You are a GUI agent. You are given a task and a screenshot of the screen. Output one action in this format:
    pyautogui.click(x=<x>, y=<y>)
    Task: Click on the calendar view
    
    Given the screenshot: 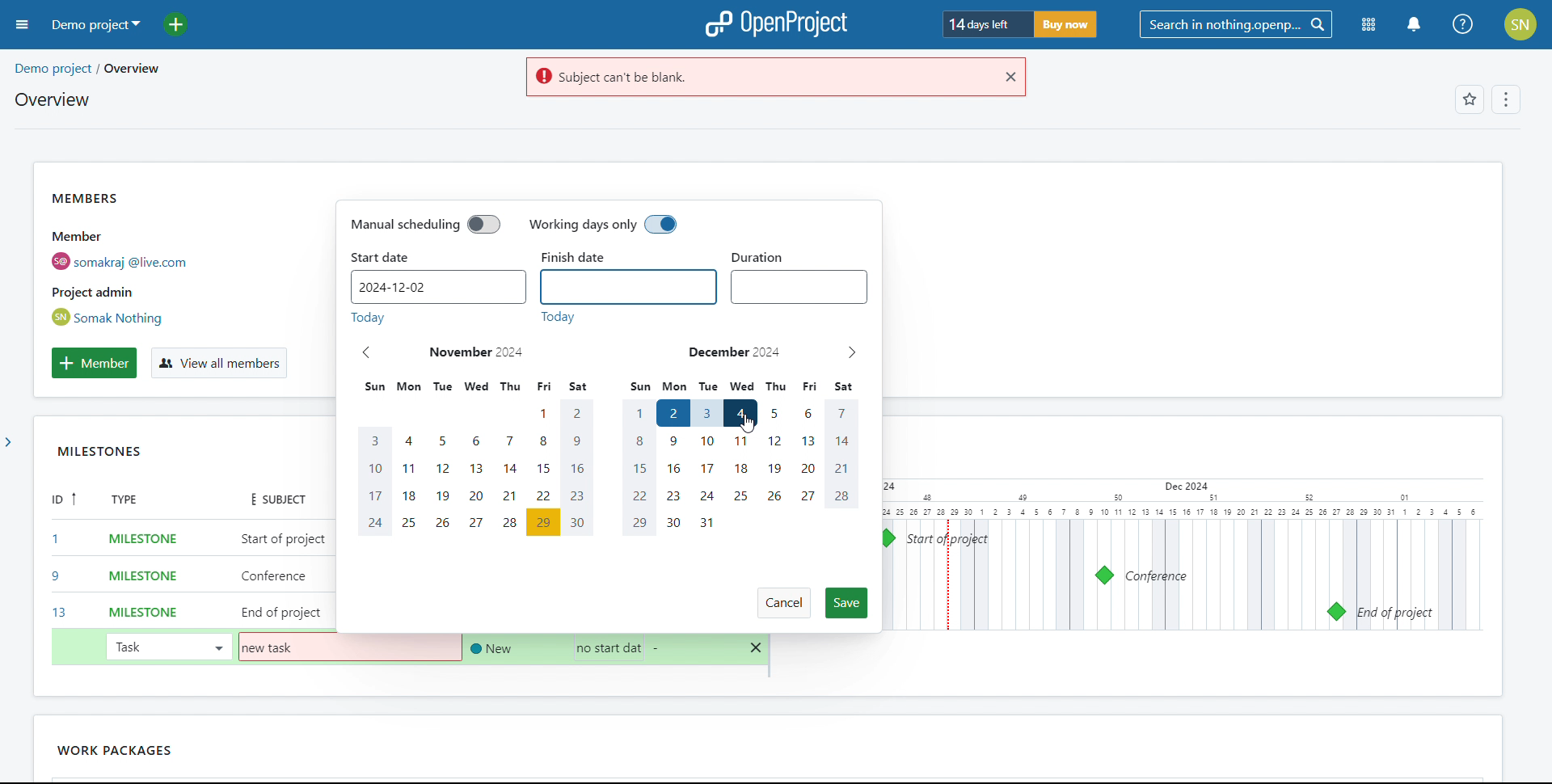 What is the action you would take?
    pyautogui.click(x=1179, y=555)
    